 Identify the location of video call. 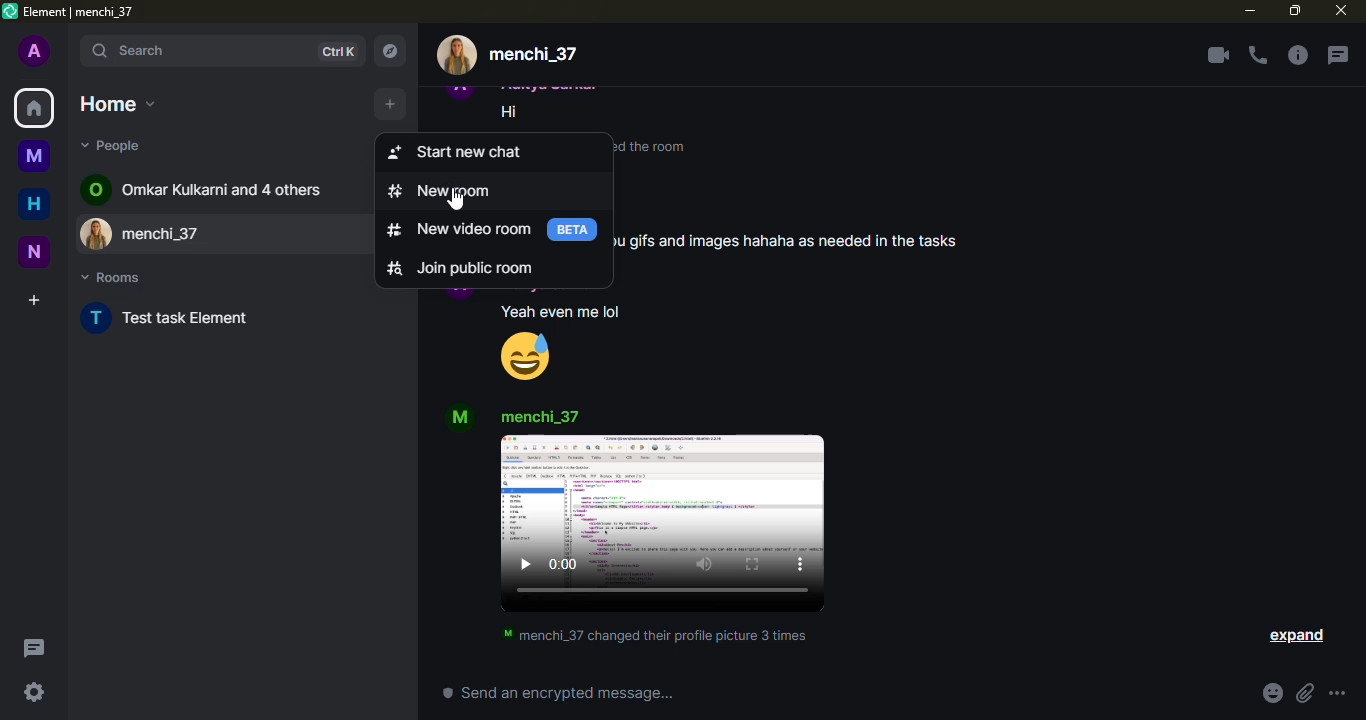
(1218, 55).